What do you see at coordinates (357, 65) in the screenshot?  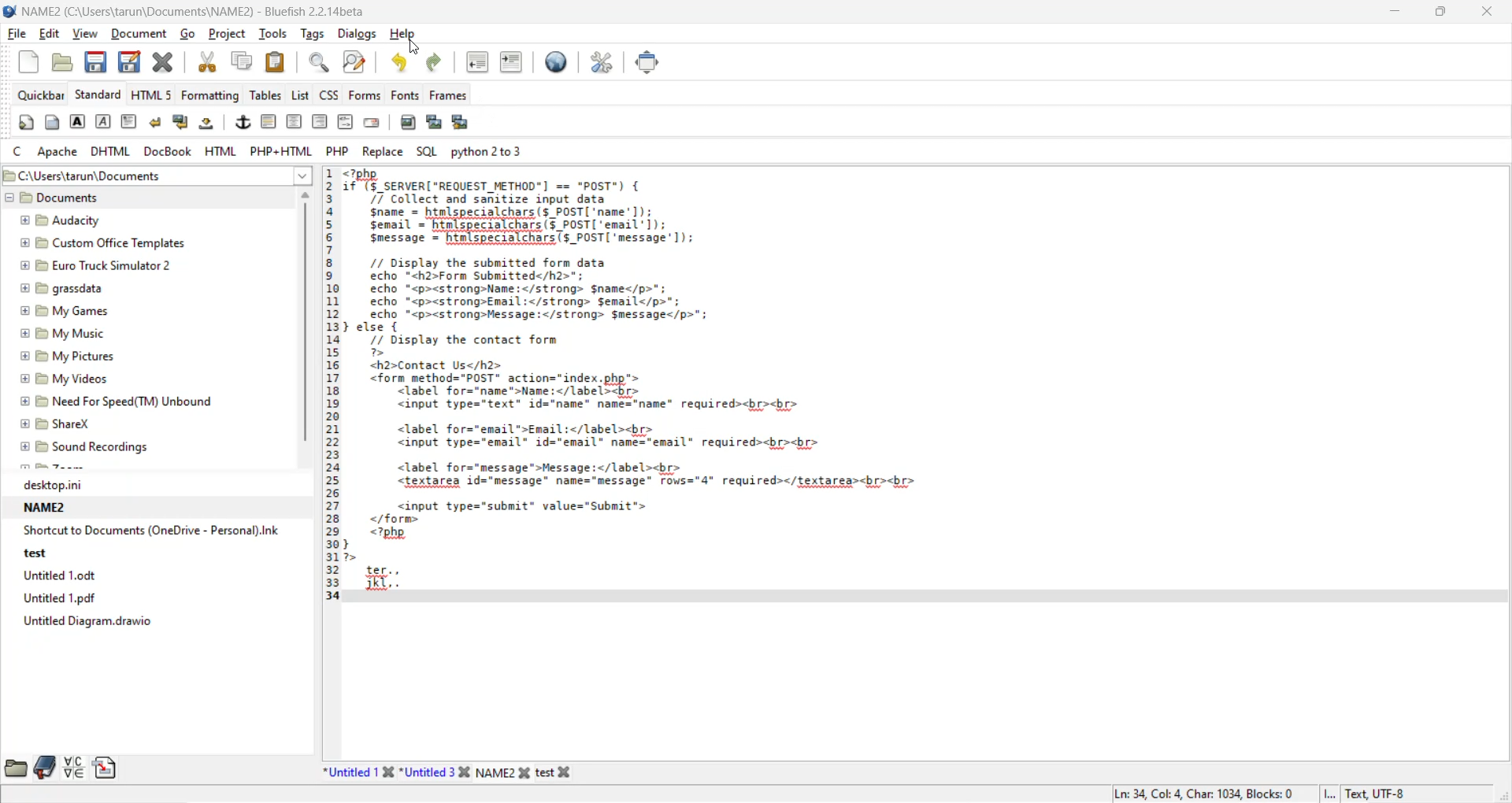 I see `find and replace` at bounding box center [357, 65].